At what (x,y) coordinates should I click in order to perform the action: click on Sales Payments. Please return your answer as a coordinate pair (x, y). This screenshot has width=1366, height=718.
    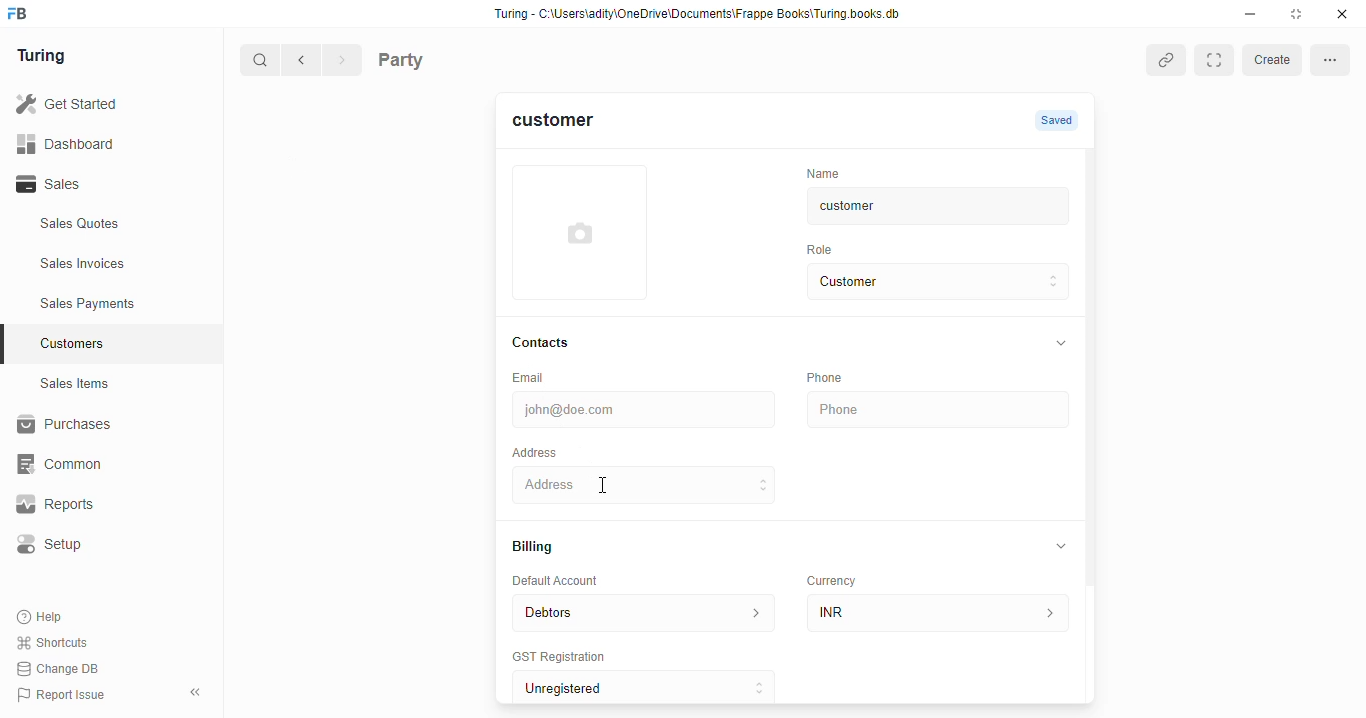
    Looking at the image, I should click on (118, 304).